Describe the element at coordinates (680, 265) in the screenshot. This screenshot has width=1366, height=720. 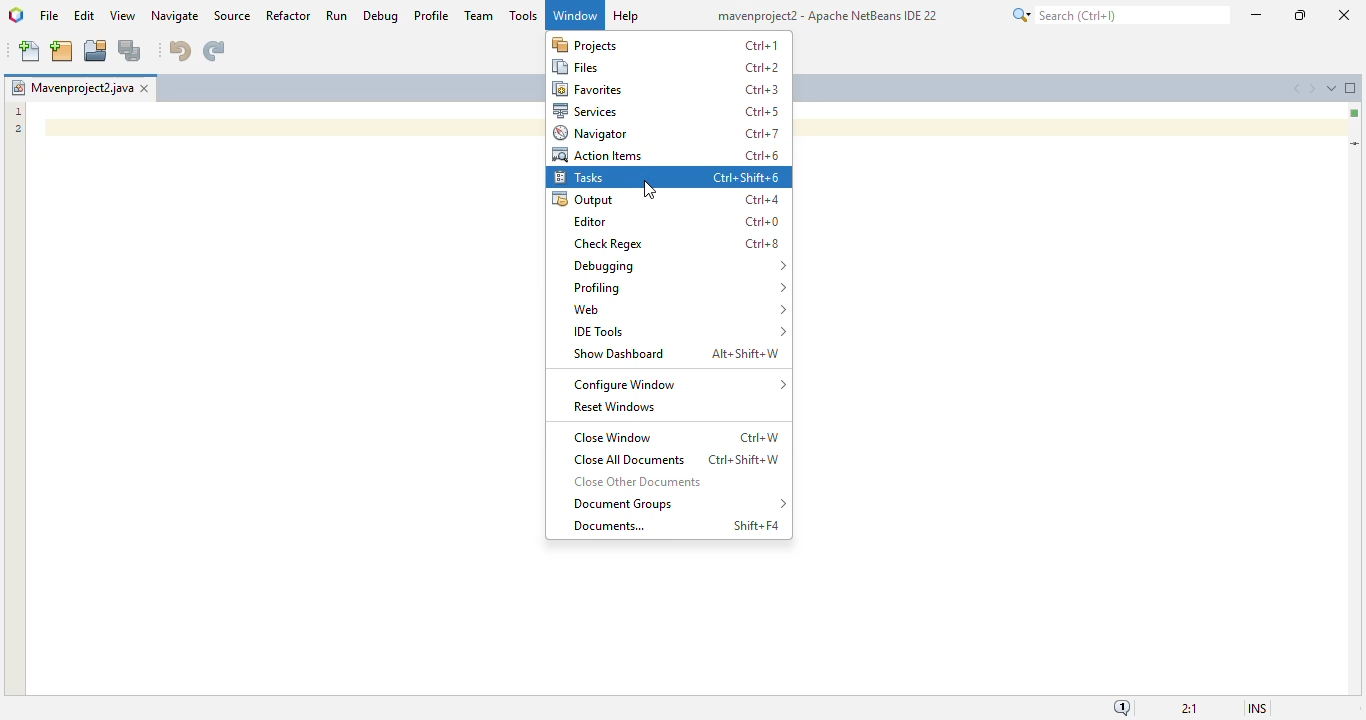
I see `debugging` at that location.